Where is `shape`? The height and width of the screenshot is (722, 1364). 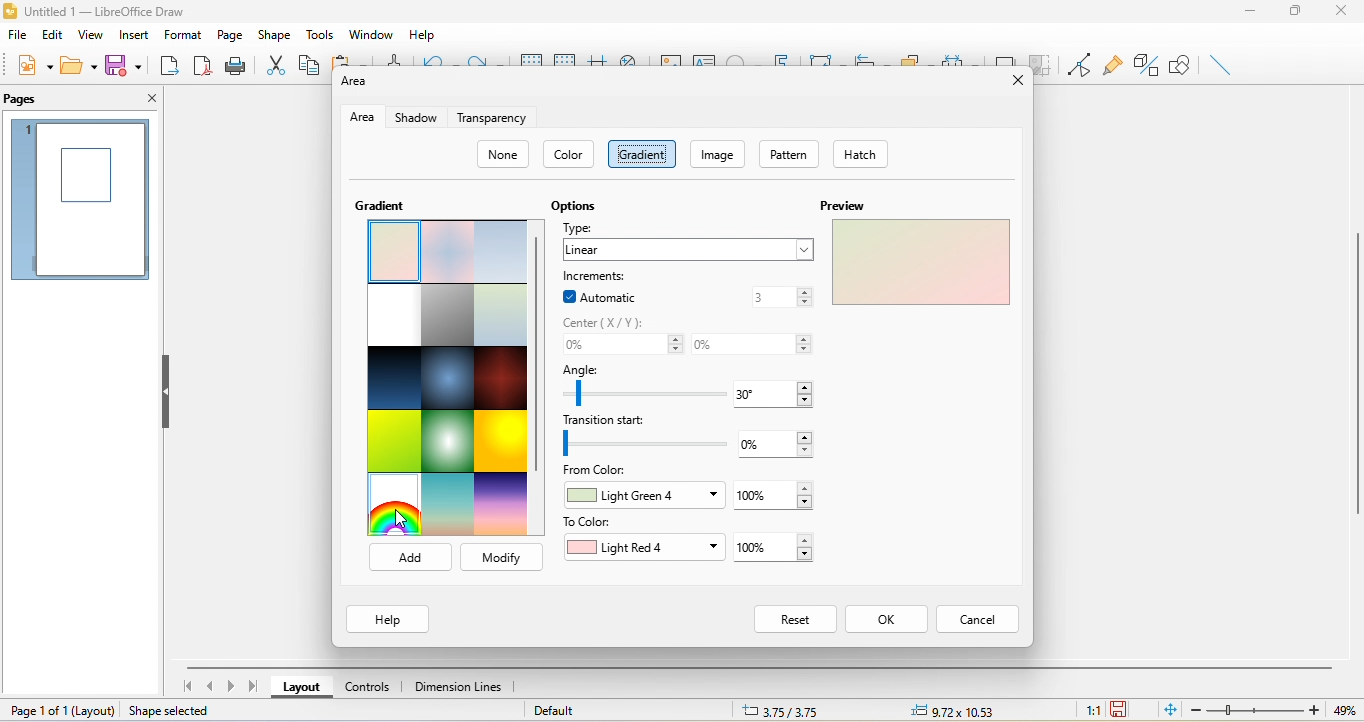 shape is located at coordinates (275, 34).